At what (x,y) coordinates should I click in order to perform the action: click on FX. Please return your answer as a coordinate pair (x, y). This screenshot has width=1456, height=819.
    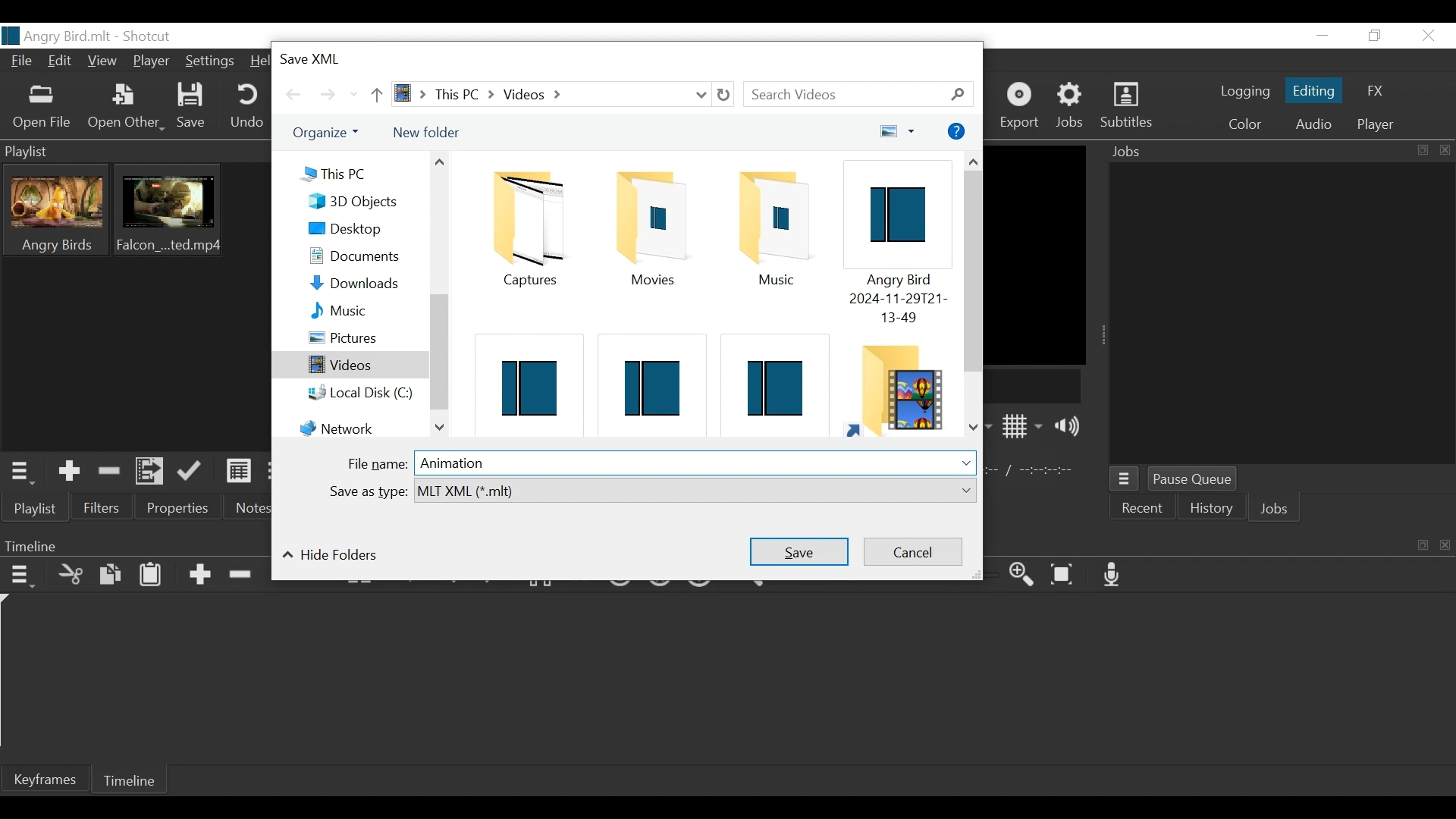
    Looking at the image, I should click on (1376, 89).